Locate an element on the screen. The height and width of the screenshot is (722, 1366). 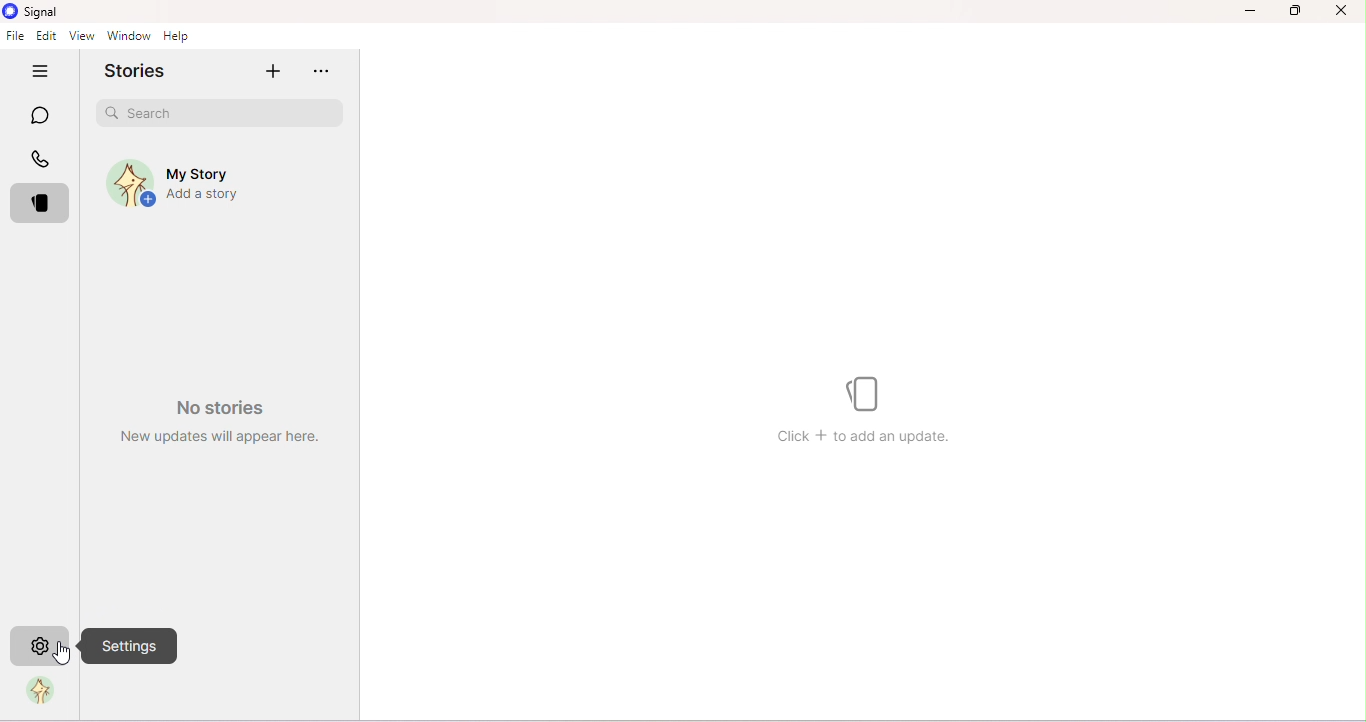
Watermark is located at coordinates (864, 416).